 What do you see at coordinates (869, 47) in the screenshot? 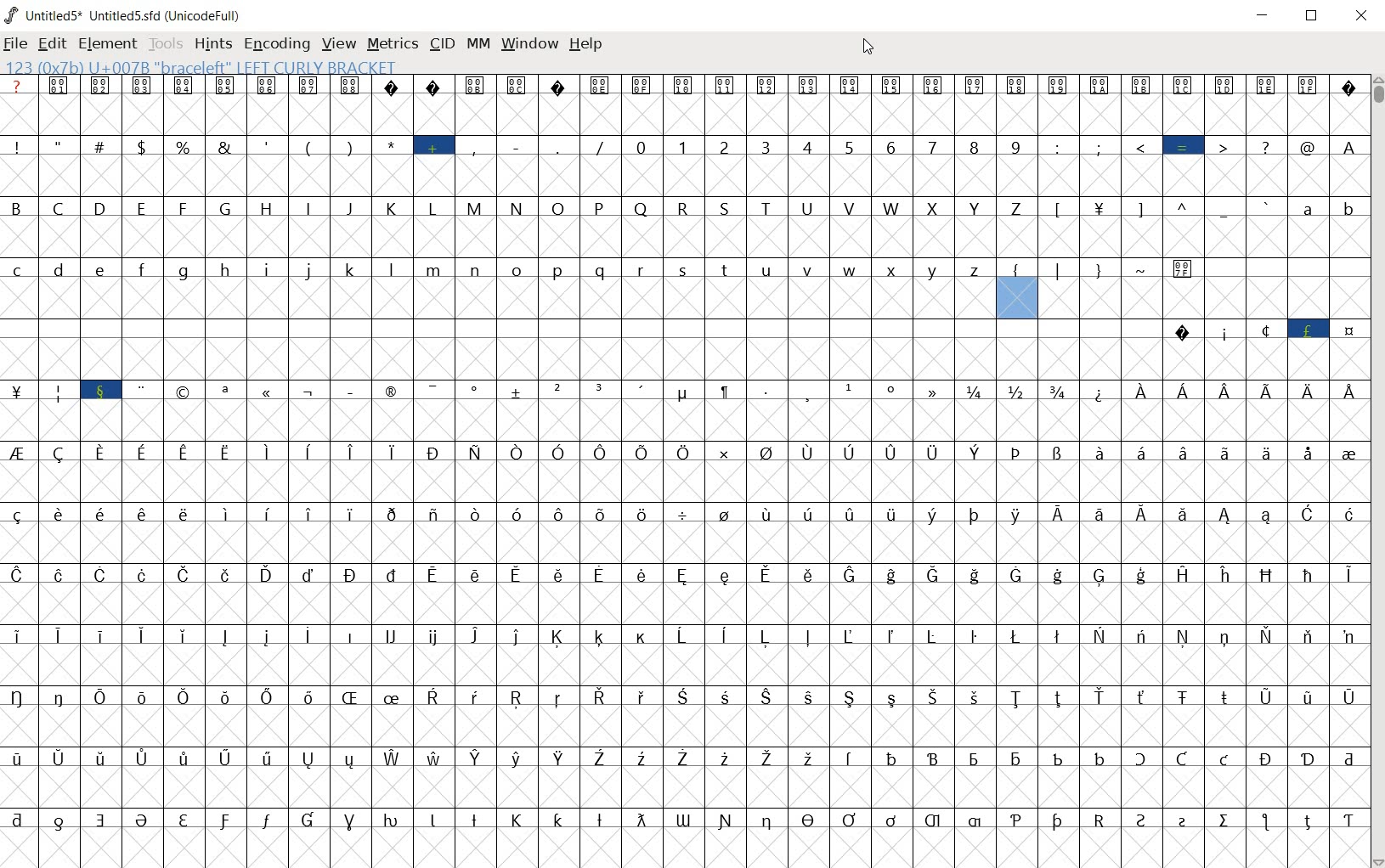
I see `cursor` at bounding box center [869, 47].